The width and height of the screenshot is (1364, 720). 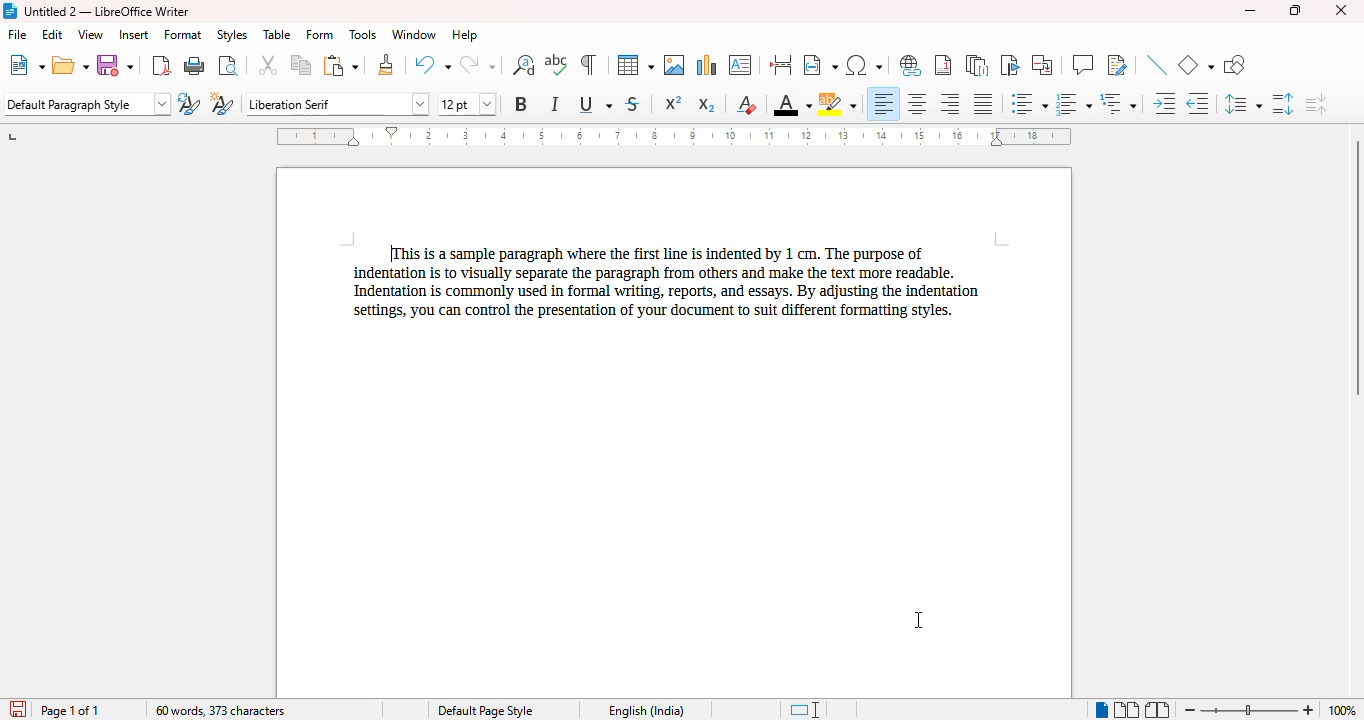 I want to click on subscript, so click(x=707, y=105).